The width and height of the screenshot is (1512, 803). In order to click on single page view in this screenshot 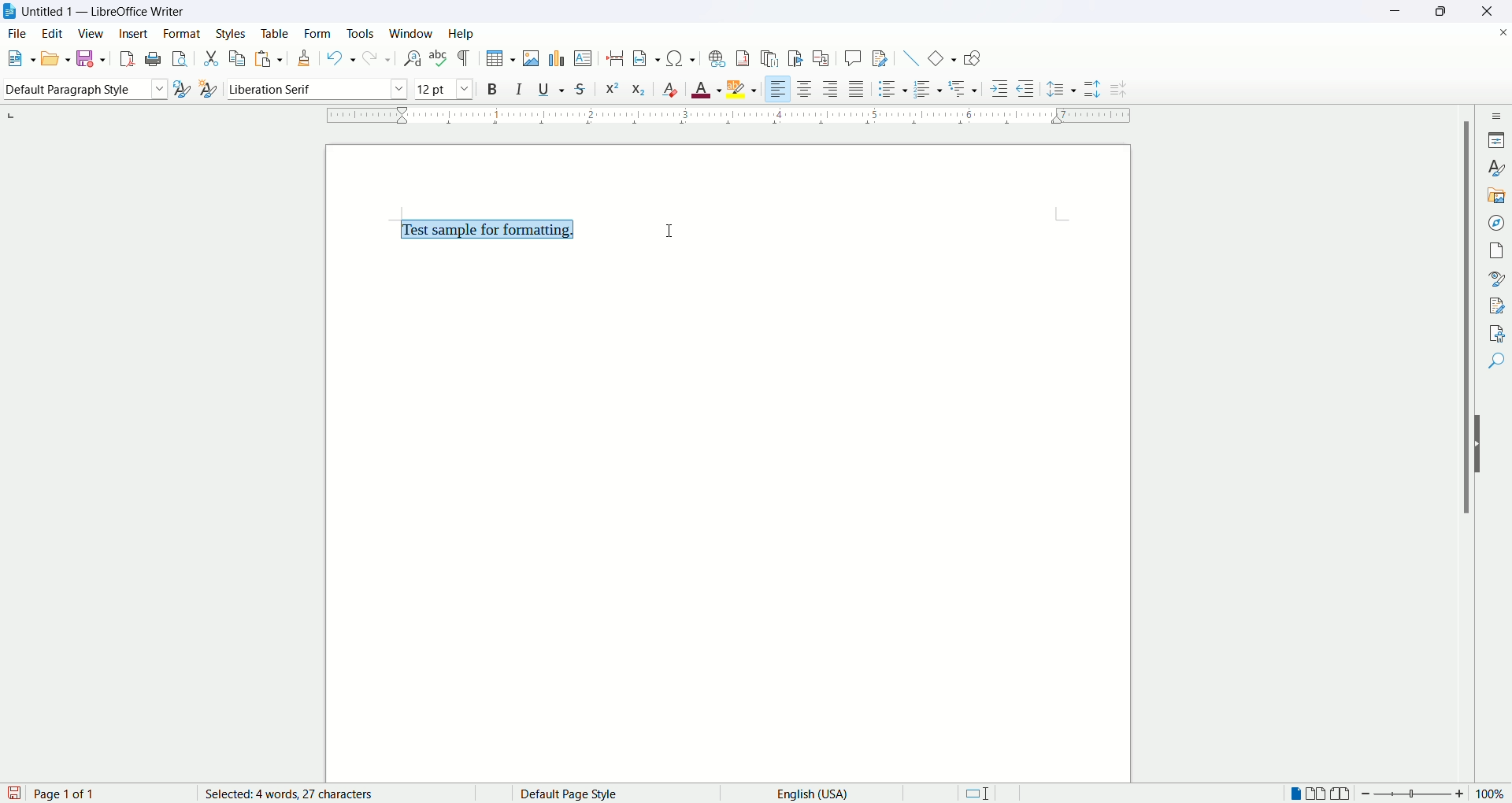, I will do `click(1291, 794)`.